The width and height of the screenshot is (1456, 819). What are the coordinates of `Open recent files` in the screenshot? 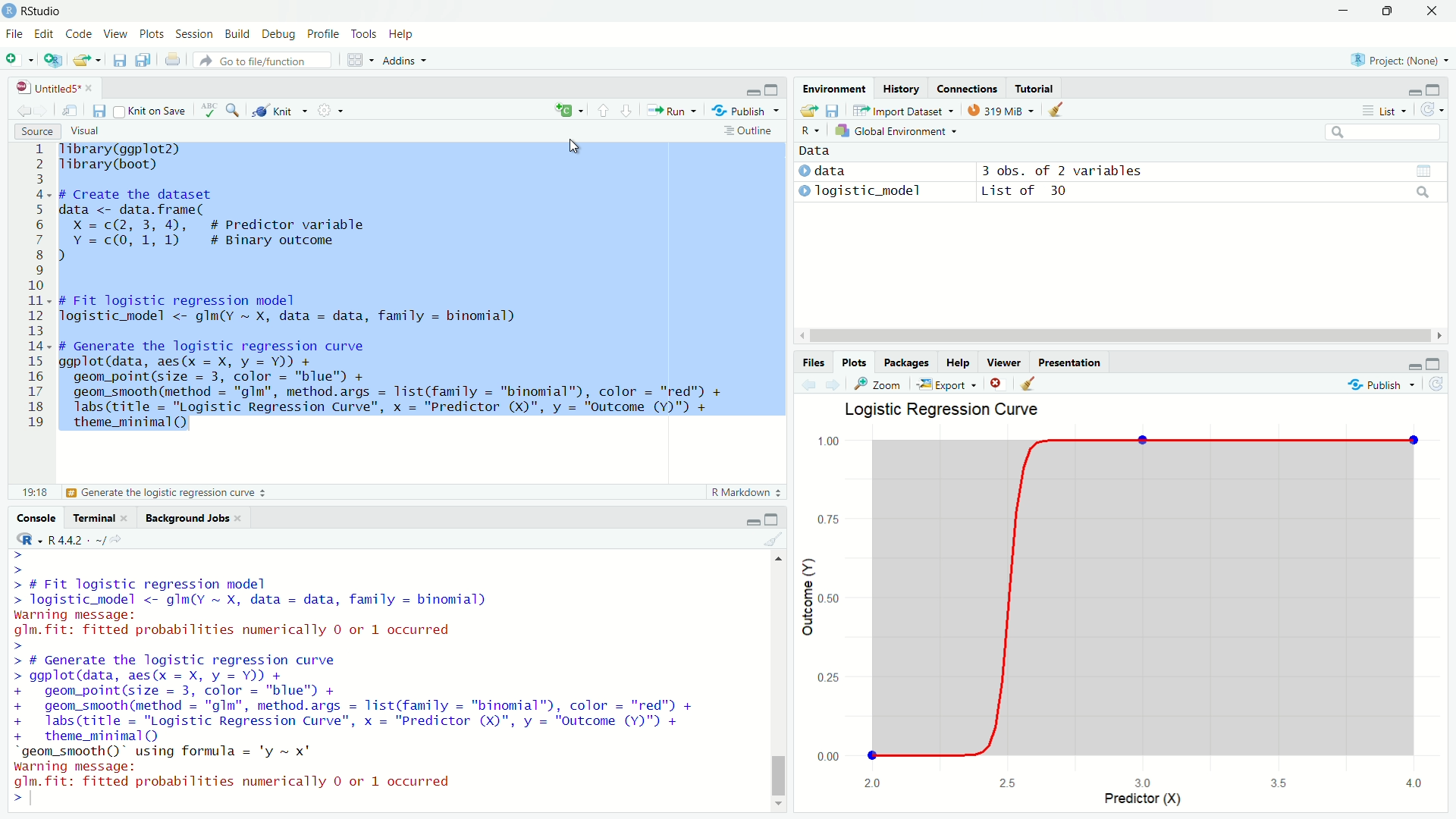 It's located at (98, 61).